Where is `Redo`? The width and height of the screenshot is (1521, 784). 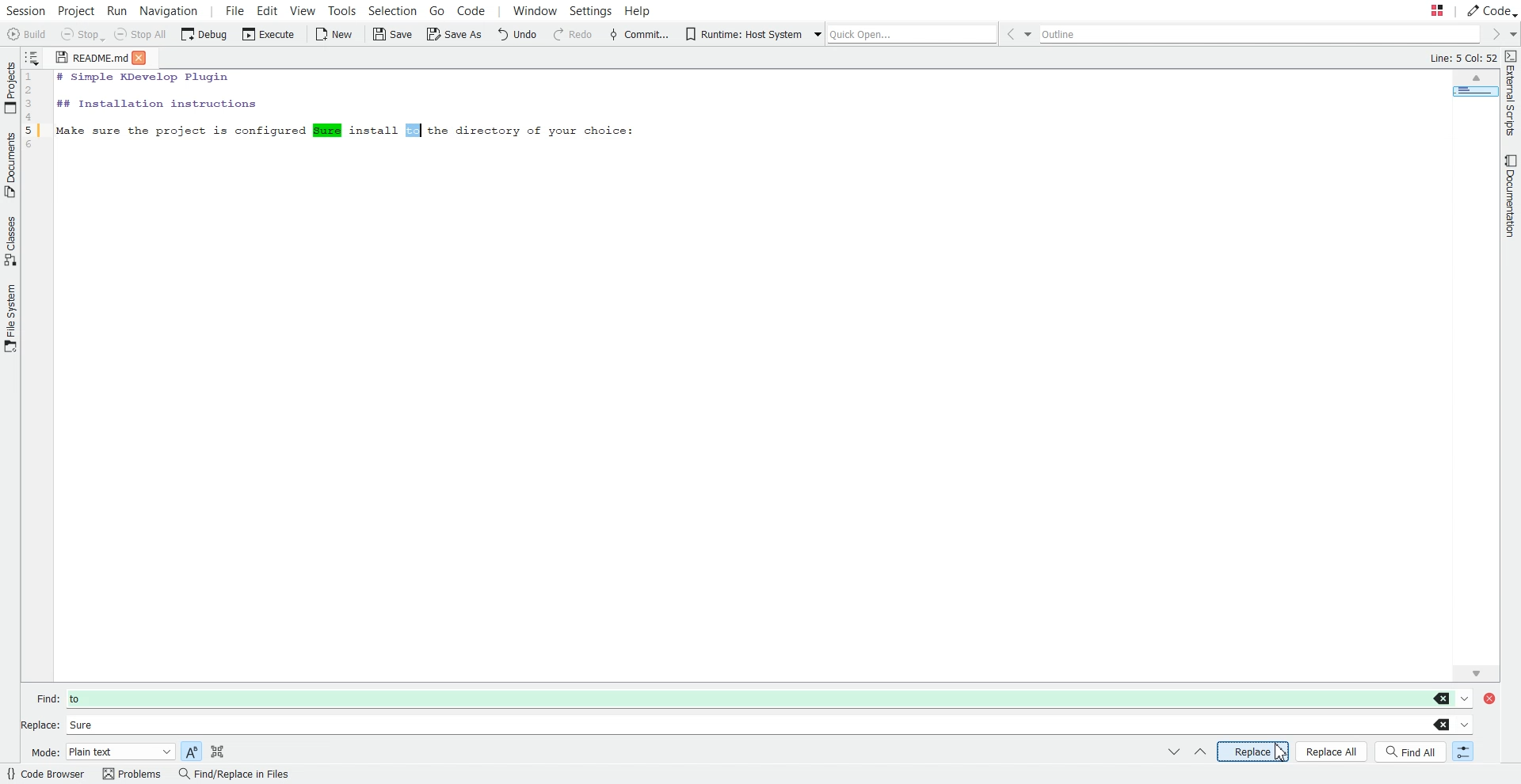 Redo is located at coordinates (573, 35).